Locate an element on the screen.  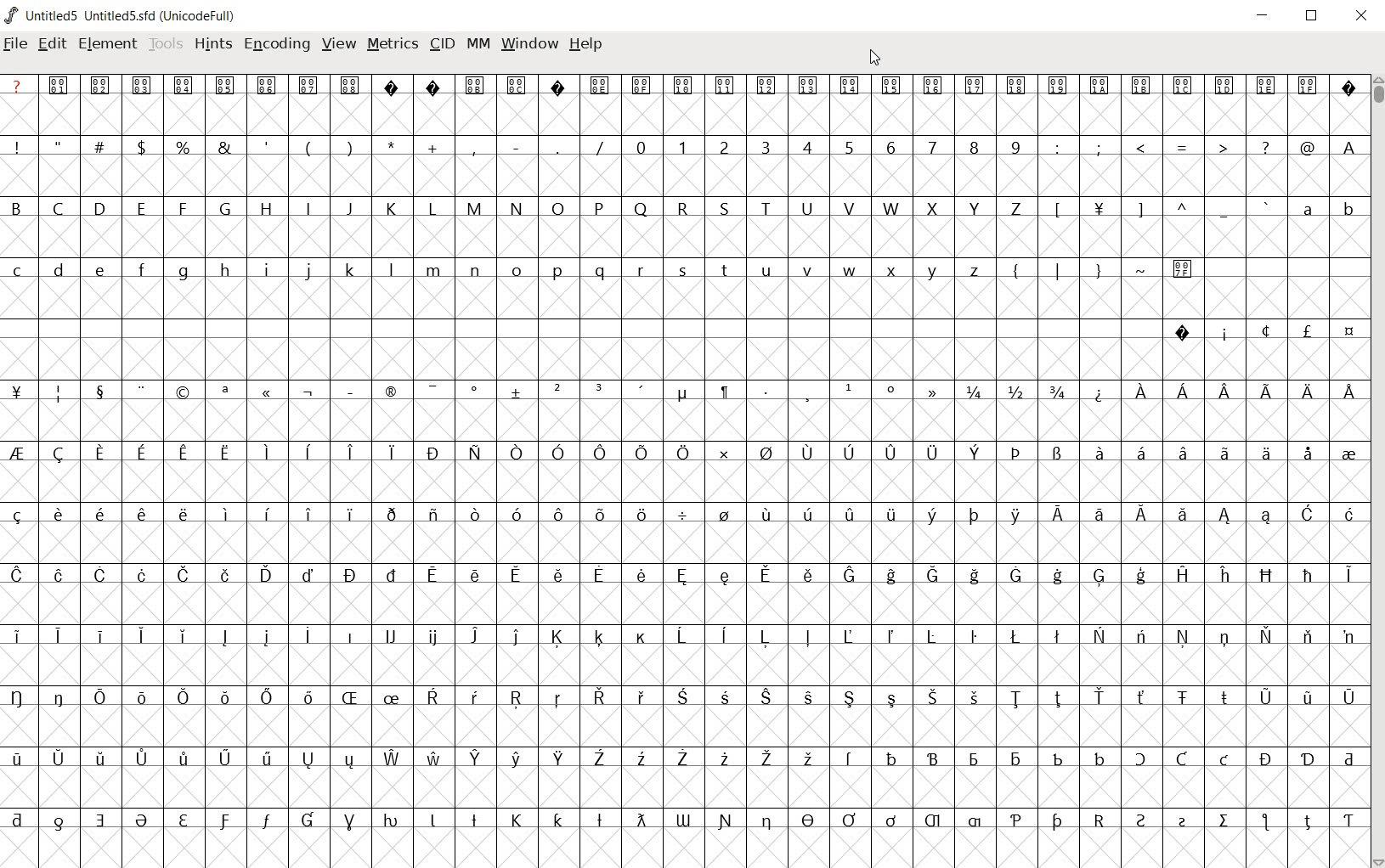
G is located at coordinates (223, 208).